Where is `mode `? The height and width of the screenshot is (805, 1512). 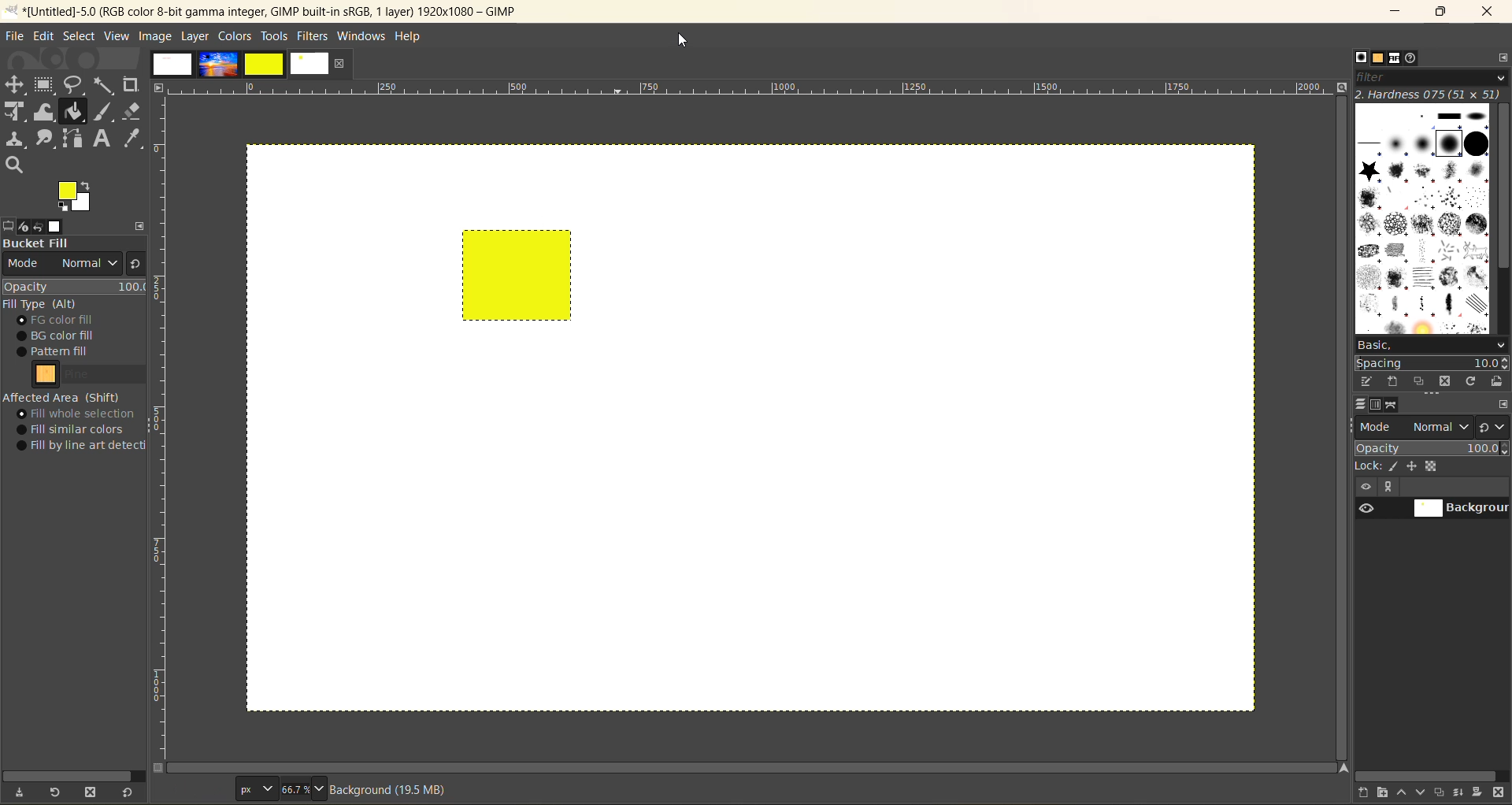 mode  is located at coordinates (61, 265).